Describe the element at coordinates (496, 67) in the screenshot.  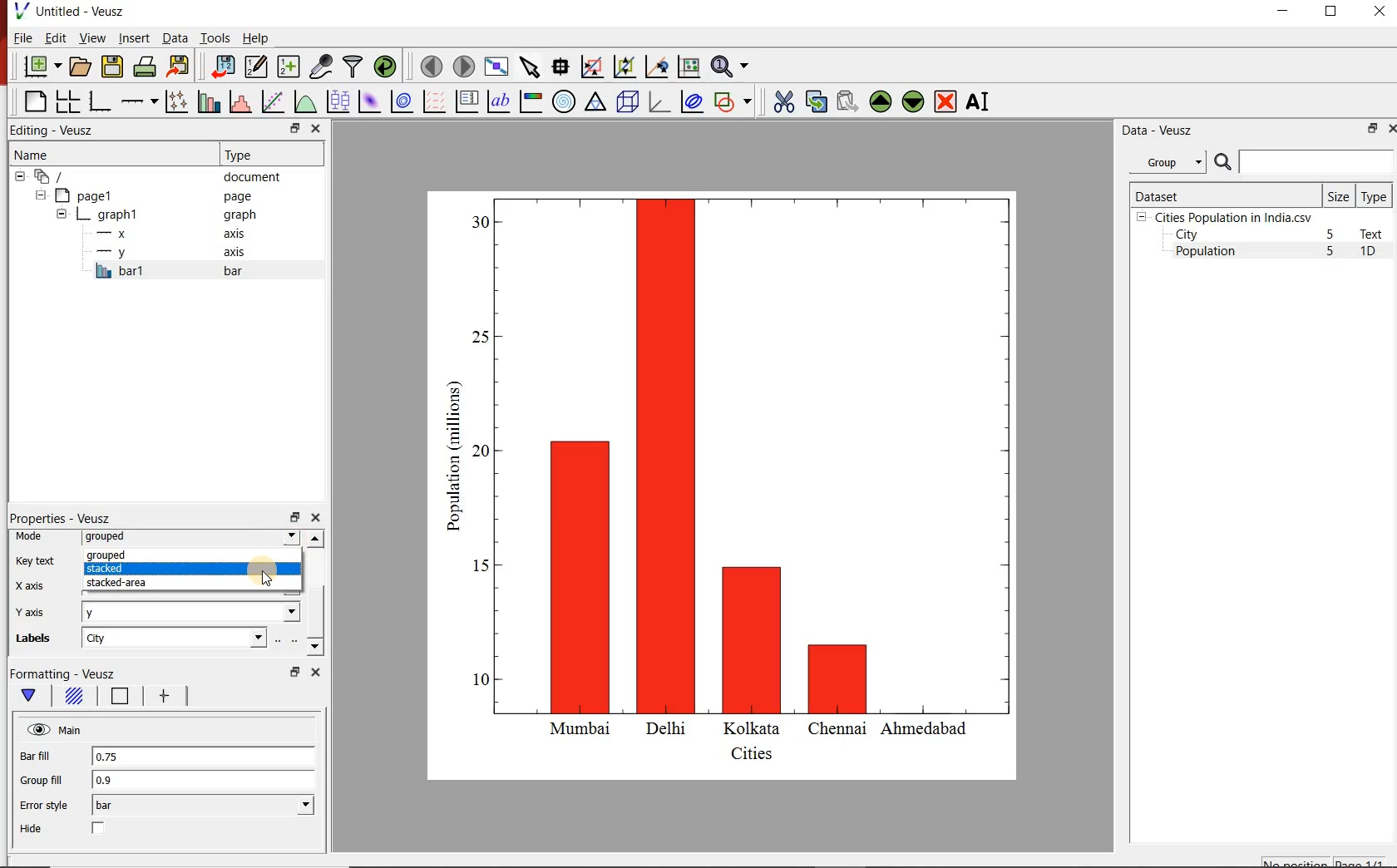
I see `view plot full screen` at that location.